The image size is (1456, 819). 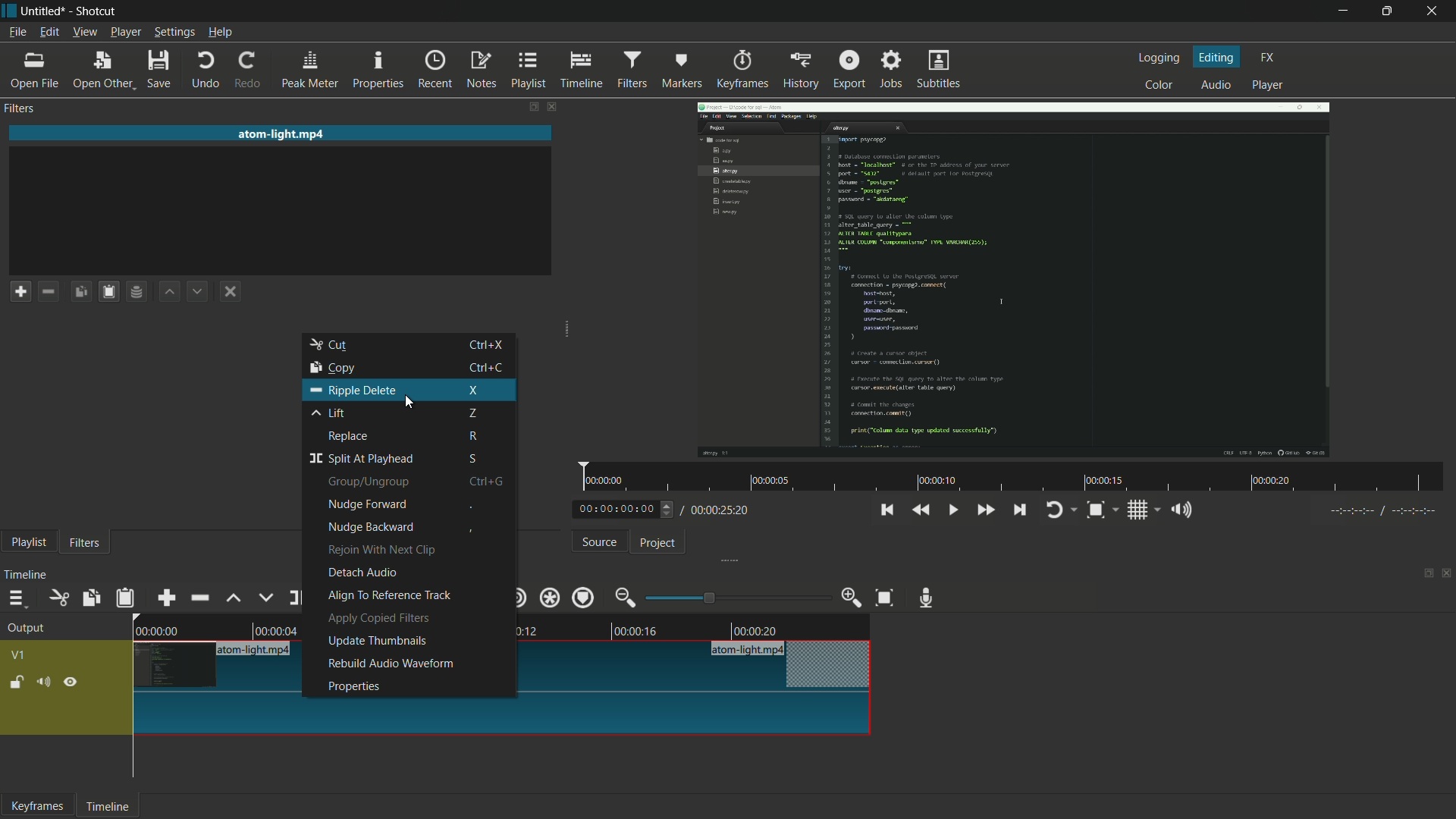 I want to click on change layout, so click(x=1425, y=575).